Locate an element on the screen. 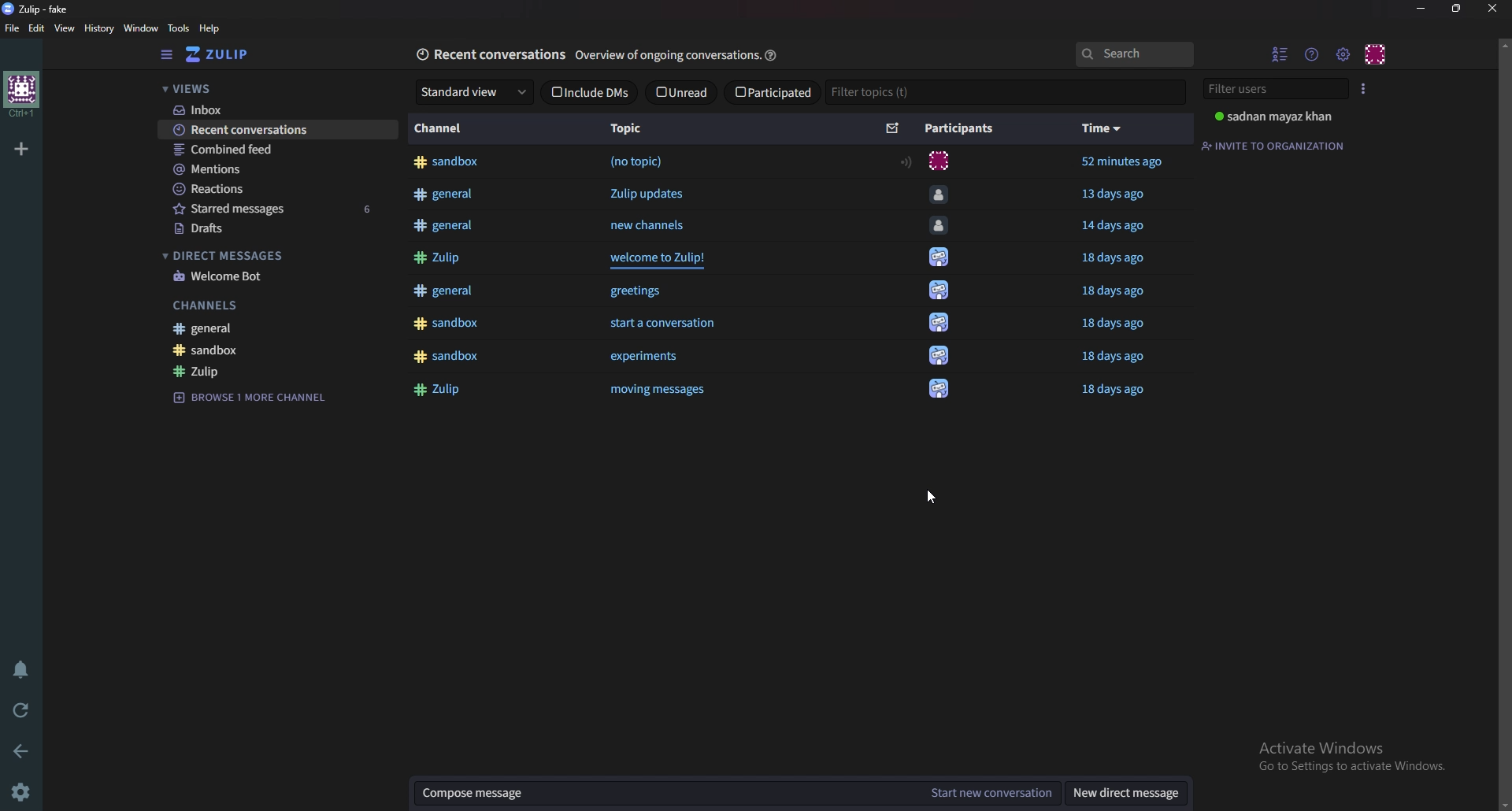 The image size is (1512, 811). #Zulip is located at coordinates (438, 261).